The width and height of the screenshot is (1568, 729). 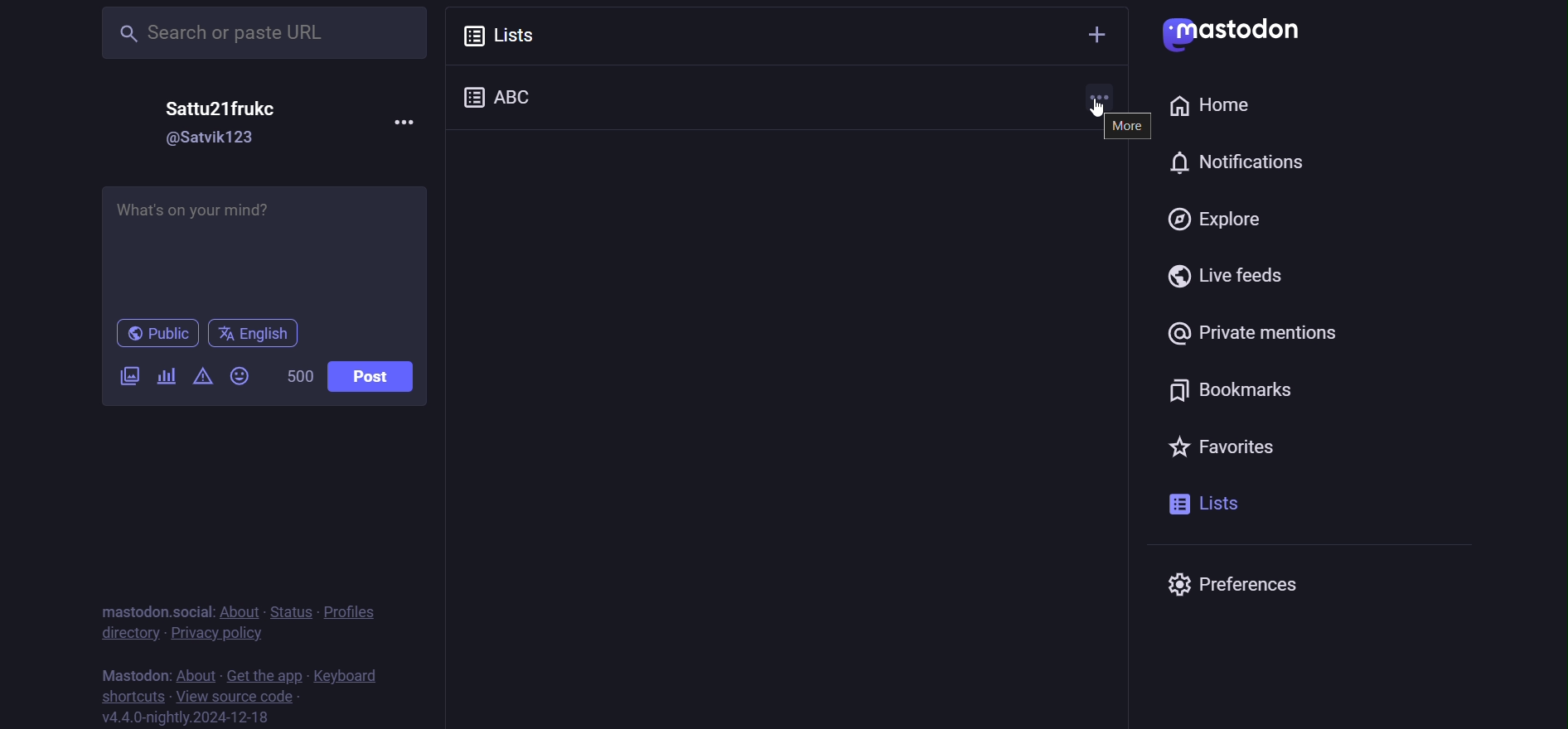 What do you see at coordinates (264, 672) in the screenshot?
I see `get the app` at bounding box center [264, 672].